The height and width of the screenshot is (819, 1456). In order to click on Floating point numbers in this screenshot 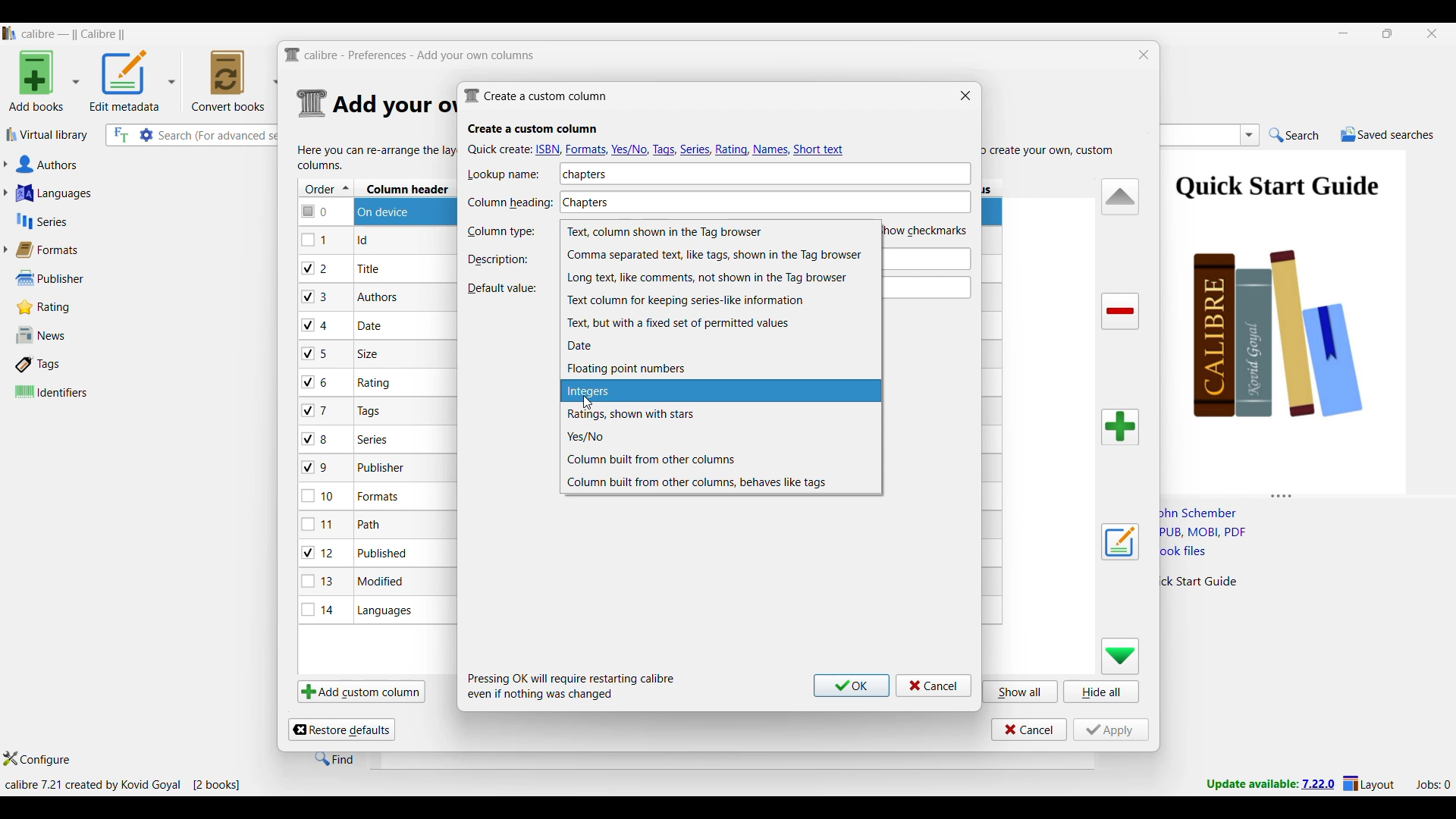, I will do `click(720, 369)`.